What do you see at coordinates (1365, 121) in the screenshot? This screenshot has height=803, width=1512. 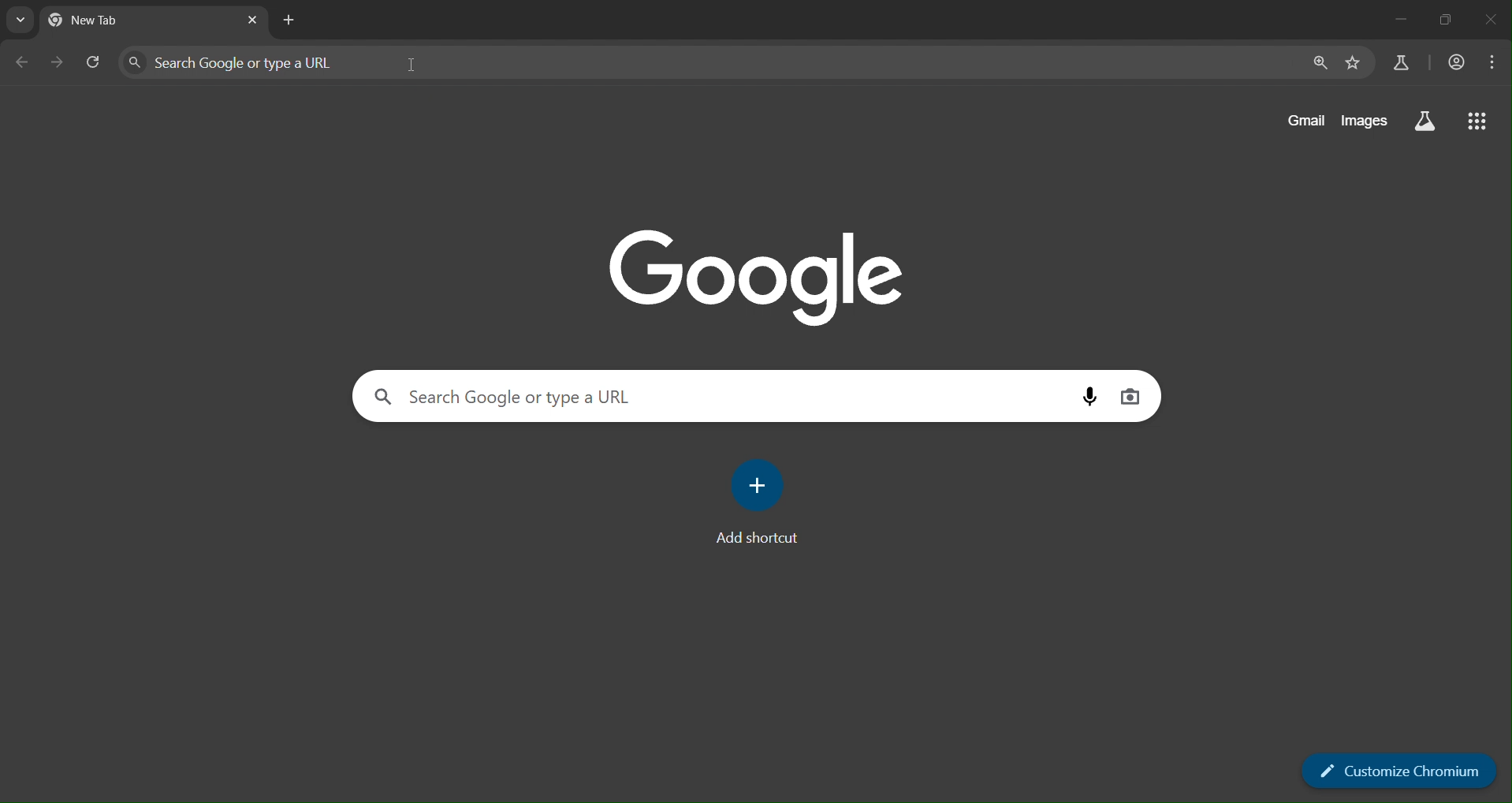 I see `images` at bounding box center [1365, 121].